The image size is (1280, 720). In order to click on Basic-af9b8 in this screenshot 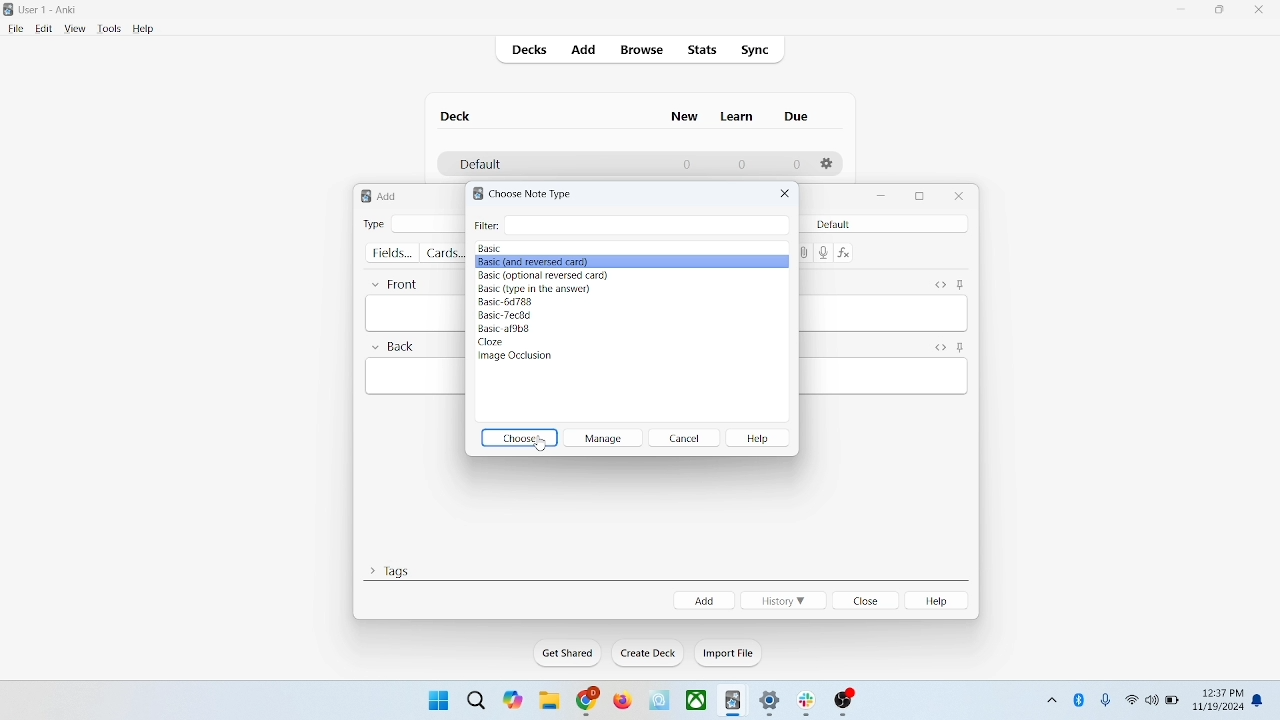, I will do `click(507, 329)`.